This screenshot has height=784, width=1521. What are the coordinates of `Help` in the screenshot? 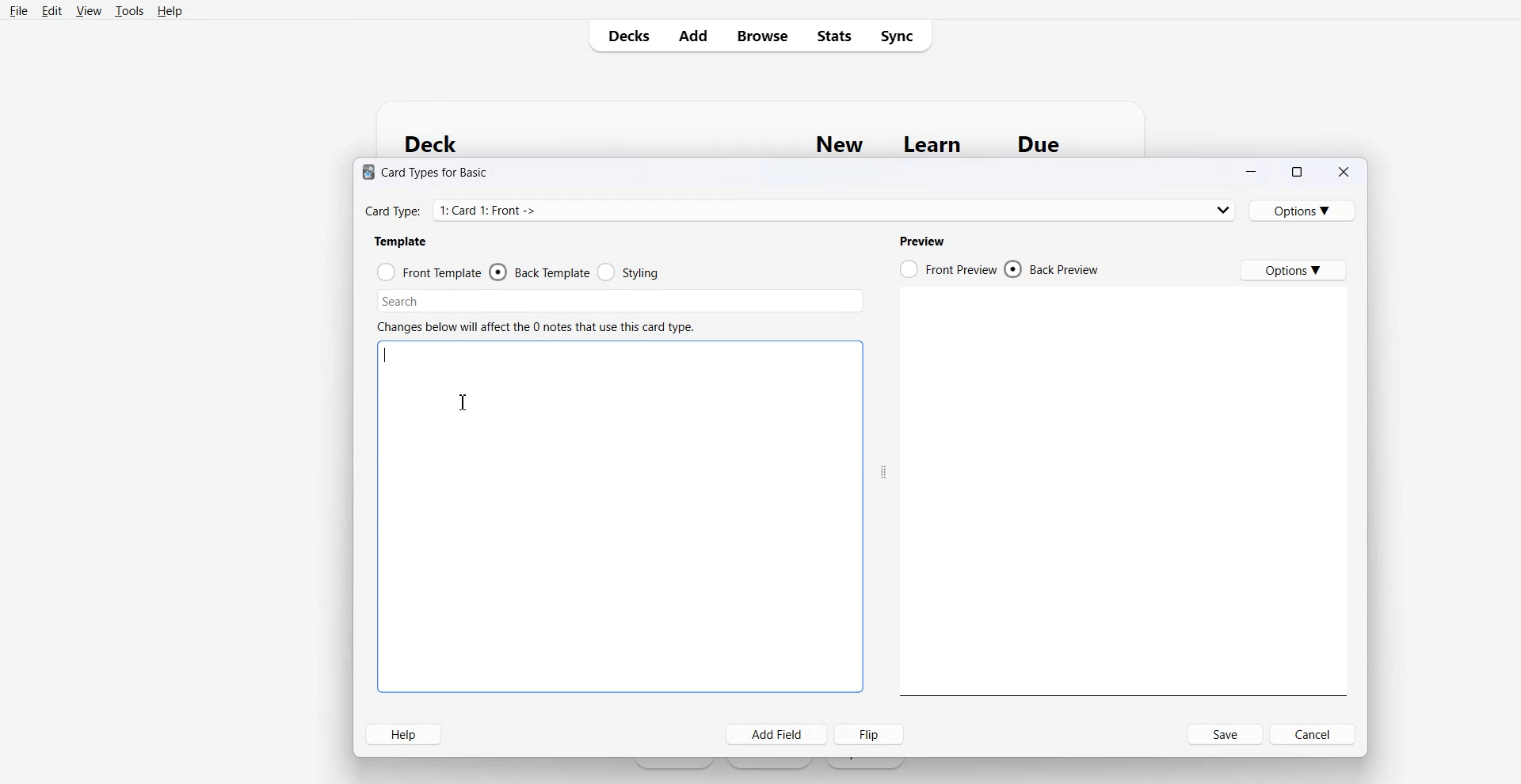 It's located at (404, 734).